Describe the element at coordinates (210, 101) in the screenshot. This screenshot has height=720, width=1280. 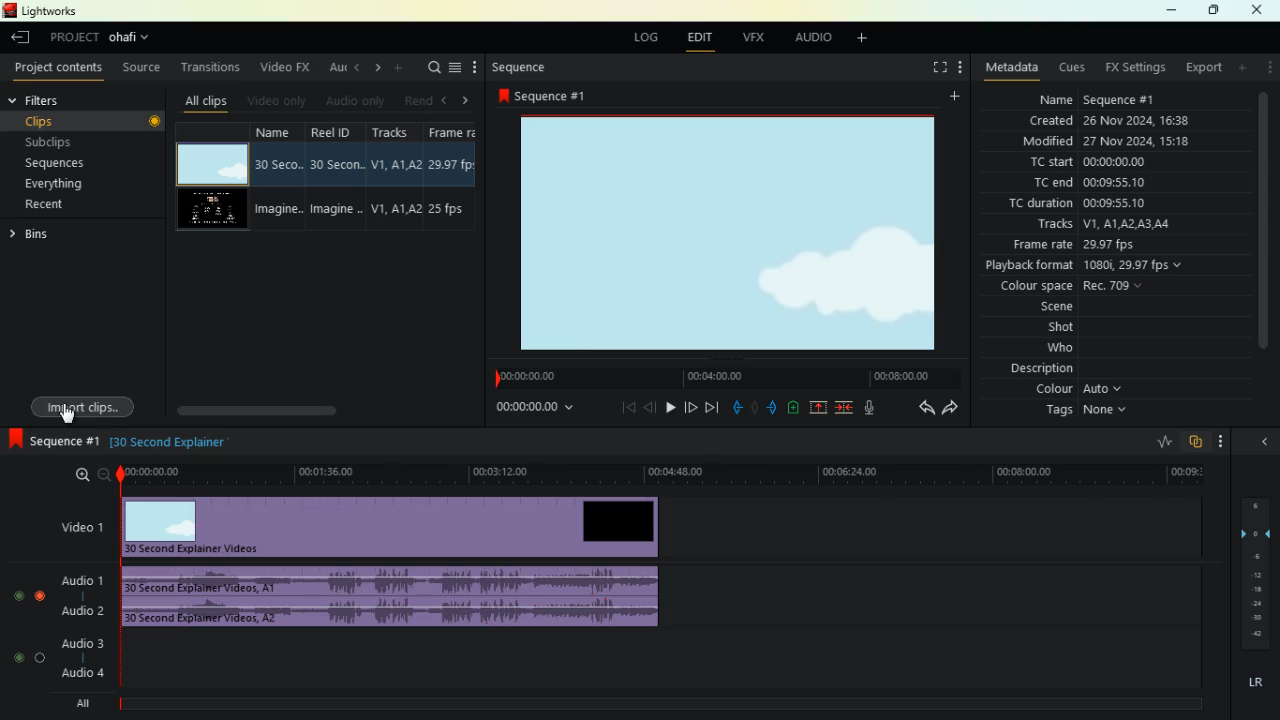
I see `all clips` at that location.